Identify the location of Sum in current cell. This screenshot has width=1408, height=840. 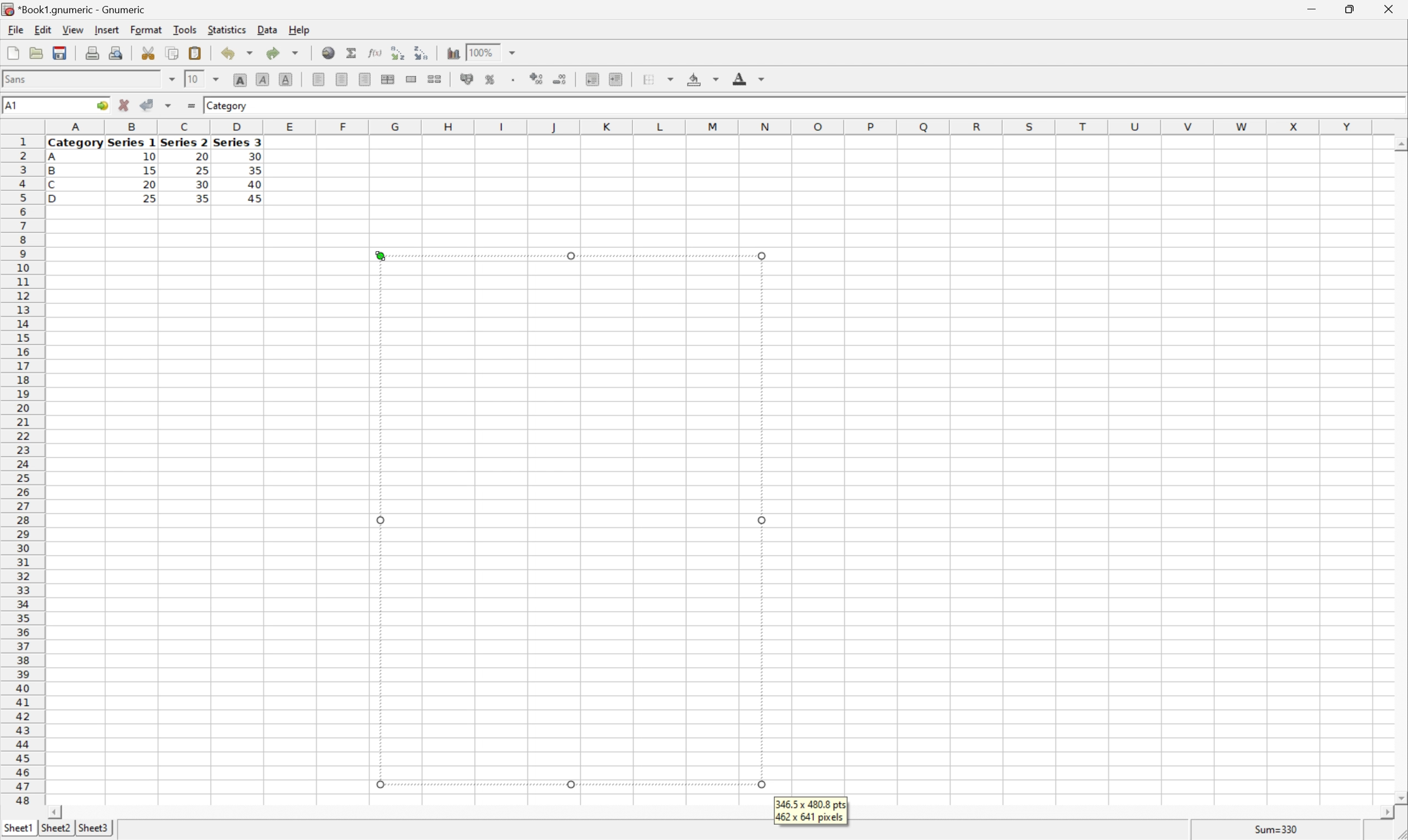
(353, 53).